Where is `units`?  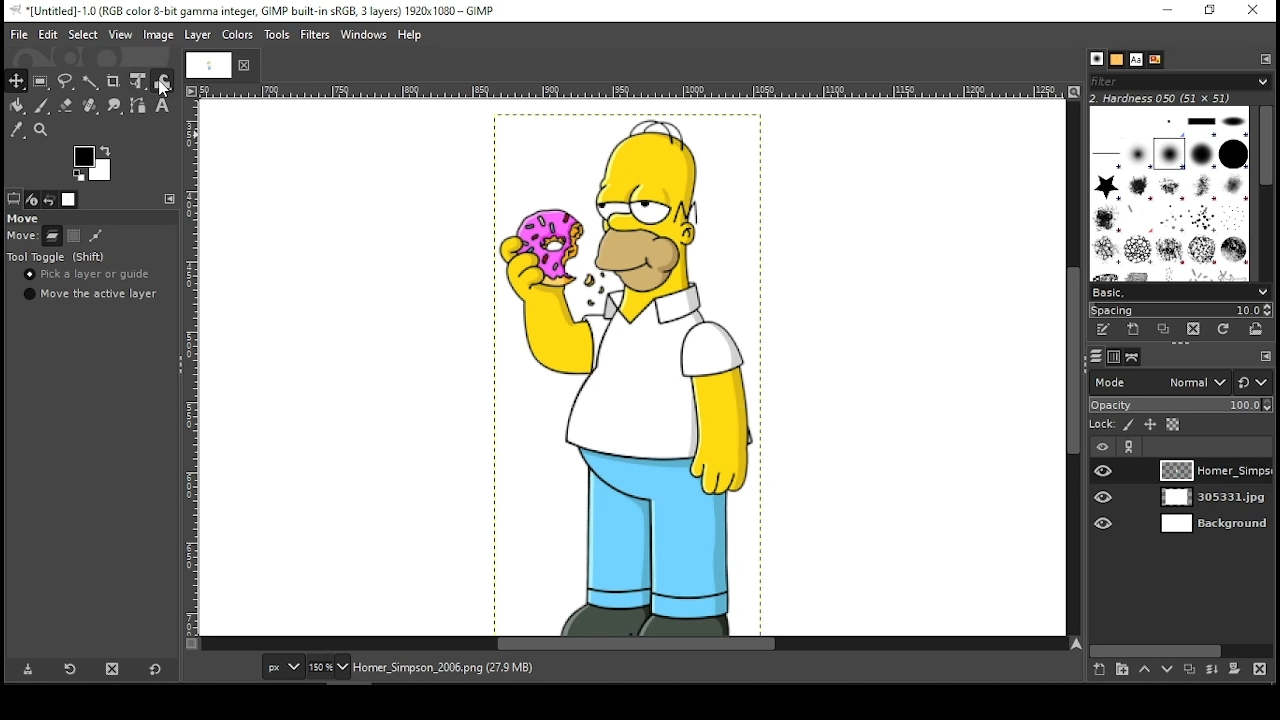
units is located at coordinates (284, 667).